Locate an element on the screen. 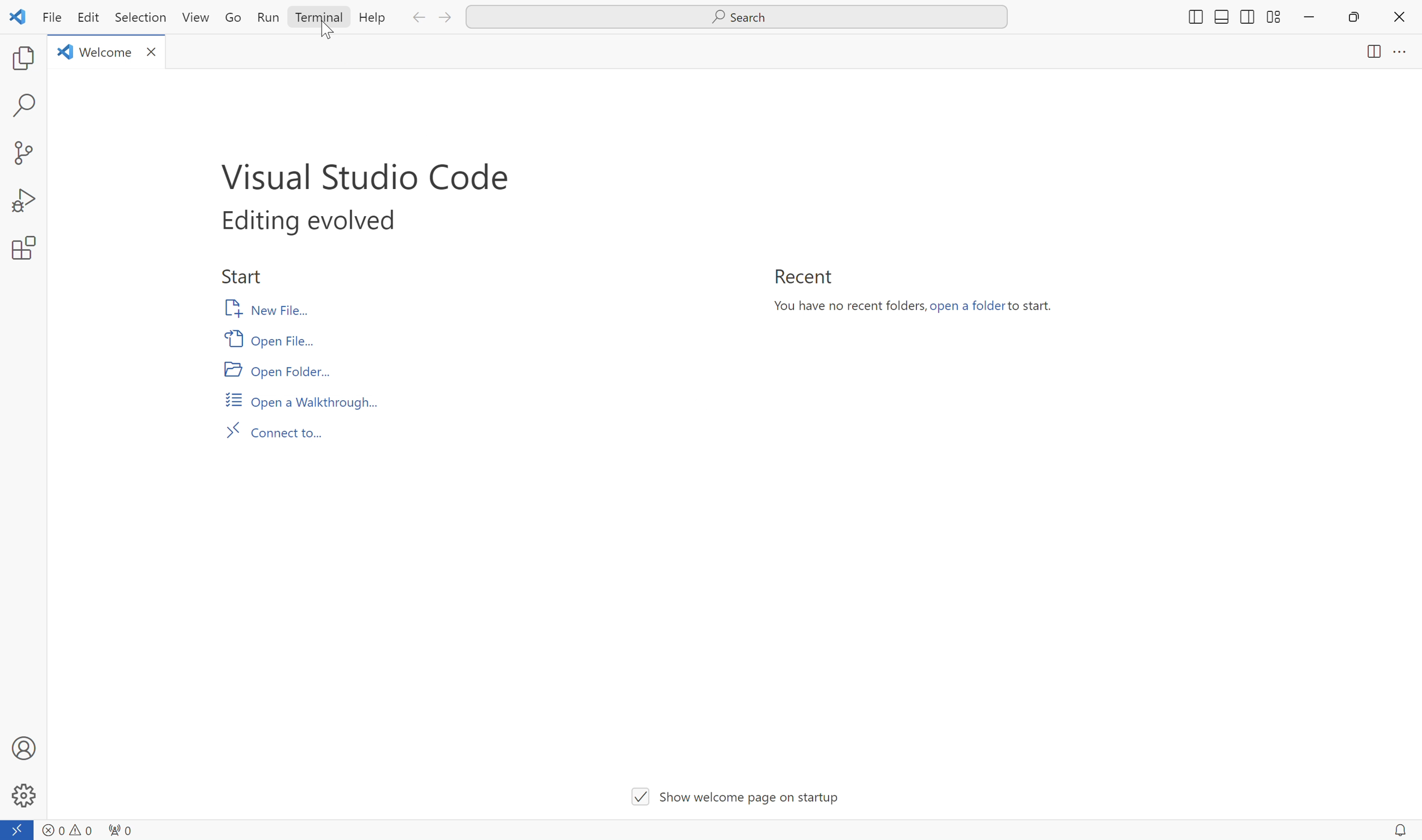 The width and height of the screenshot is (1422, 840). icon is located at coordinates (18, 16).